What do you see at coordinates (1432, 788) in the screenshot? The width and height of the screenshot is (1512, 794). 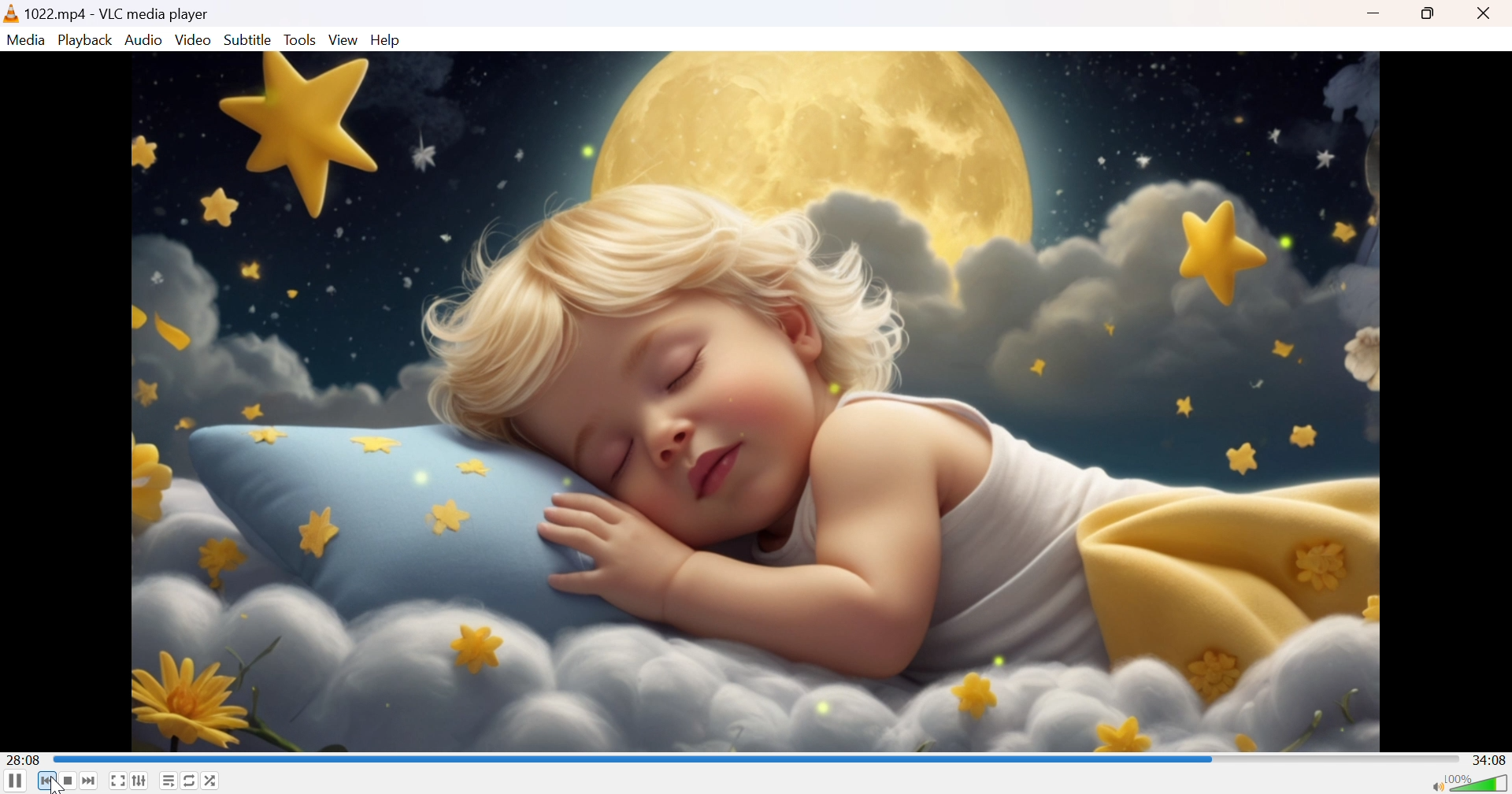 I see `Mute` at bounding box center [1432, 788].